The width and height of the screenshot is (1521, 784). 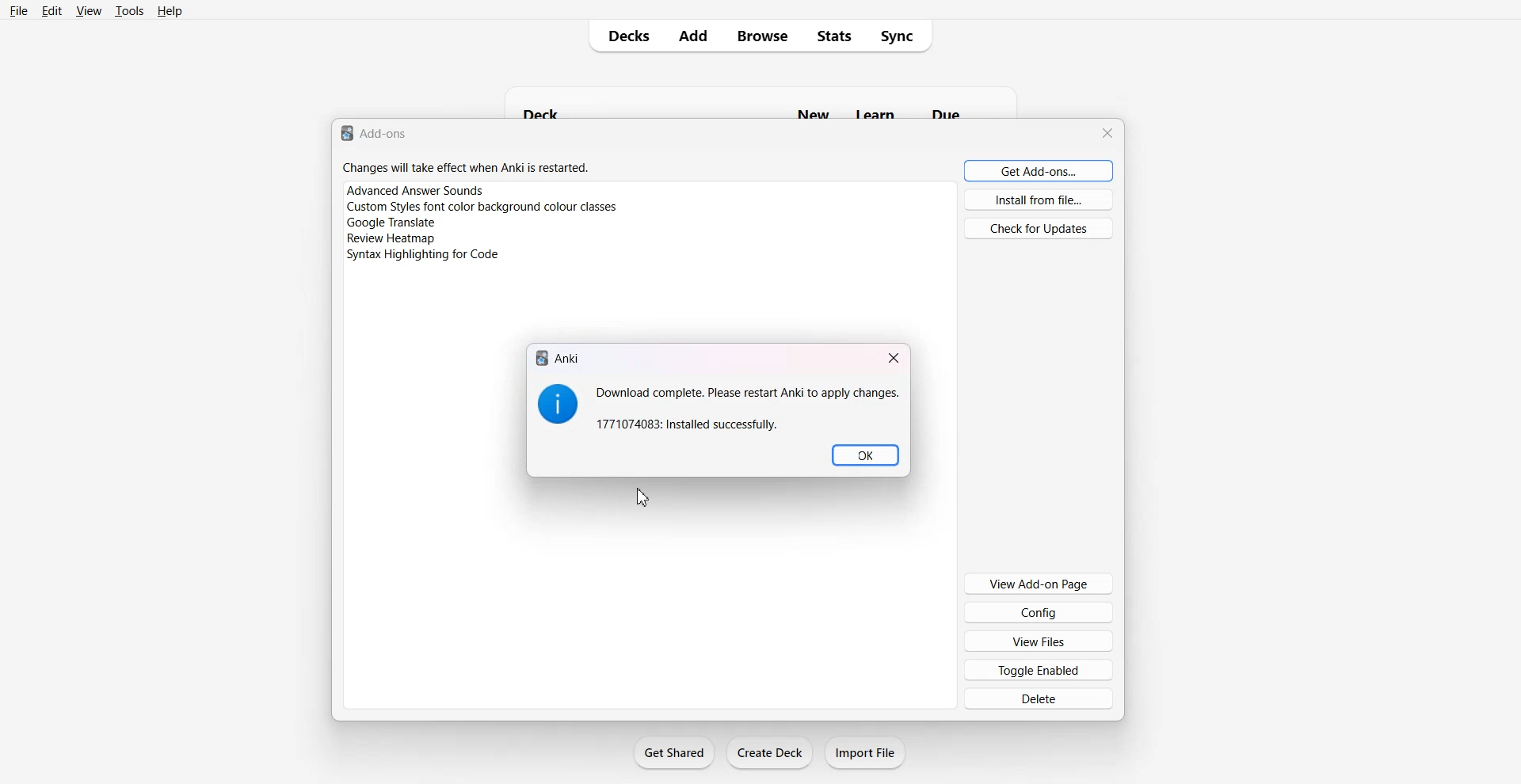 I want to click on anki, so click(x=558, y=358).